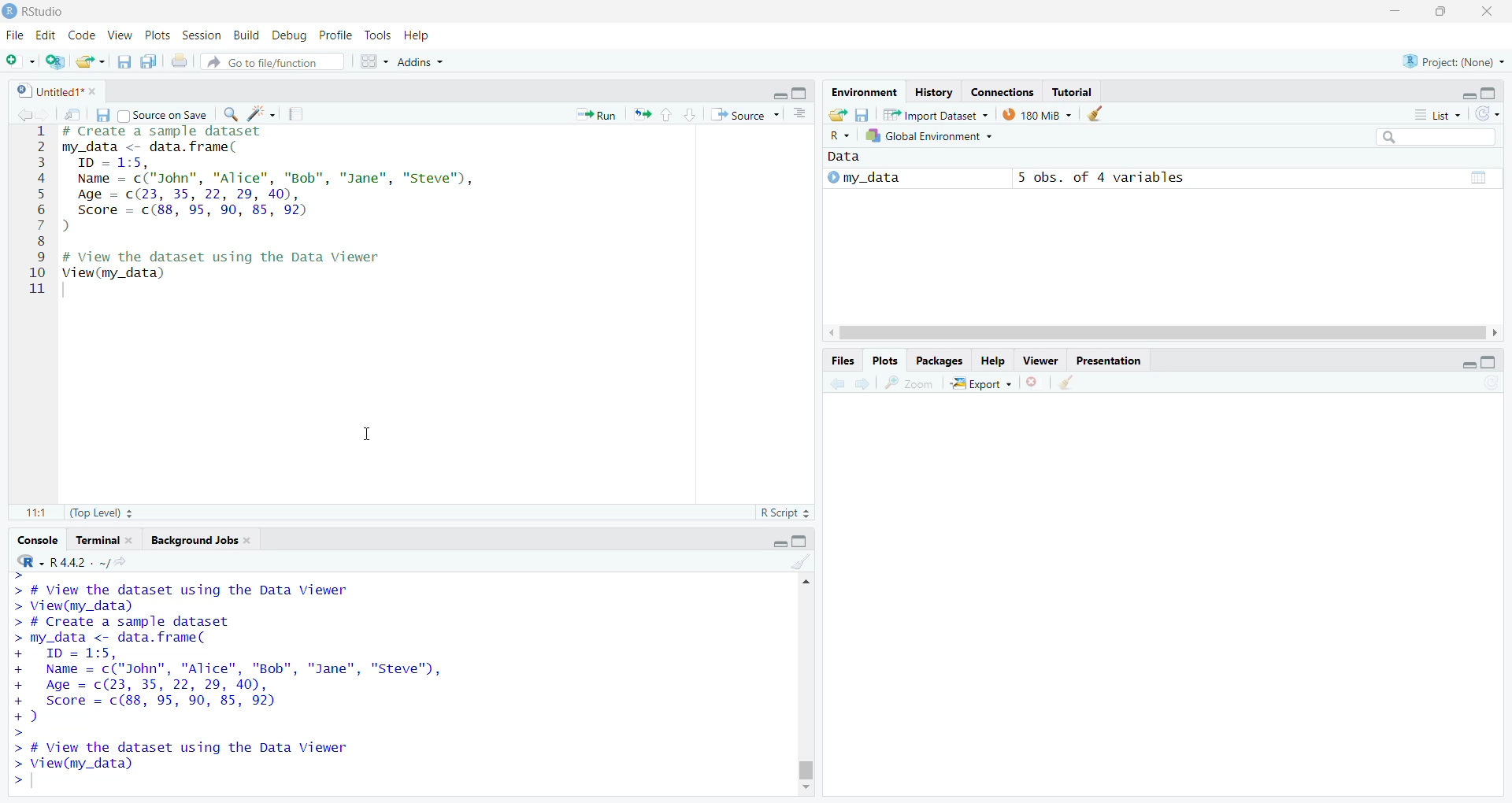 The width and height of the screenshot is (1512, 803). Describe the element at coordinates (906, 382) in the screenshot. I see `Zoom` at that location.